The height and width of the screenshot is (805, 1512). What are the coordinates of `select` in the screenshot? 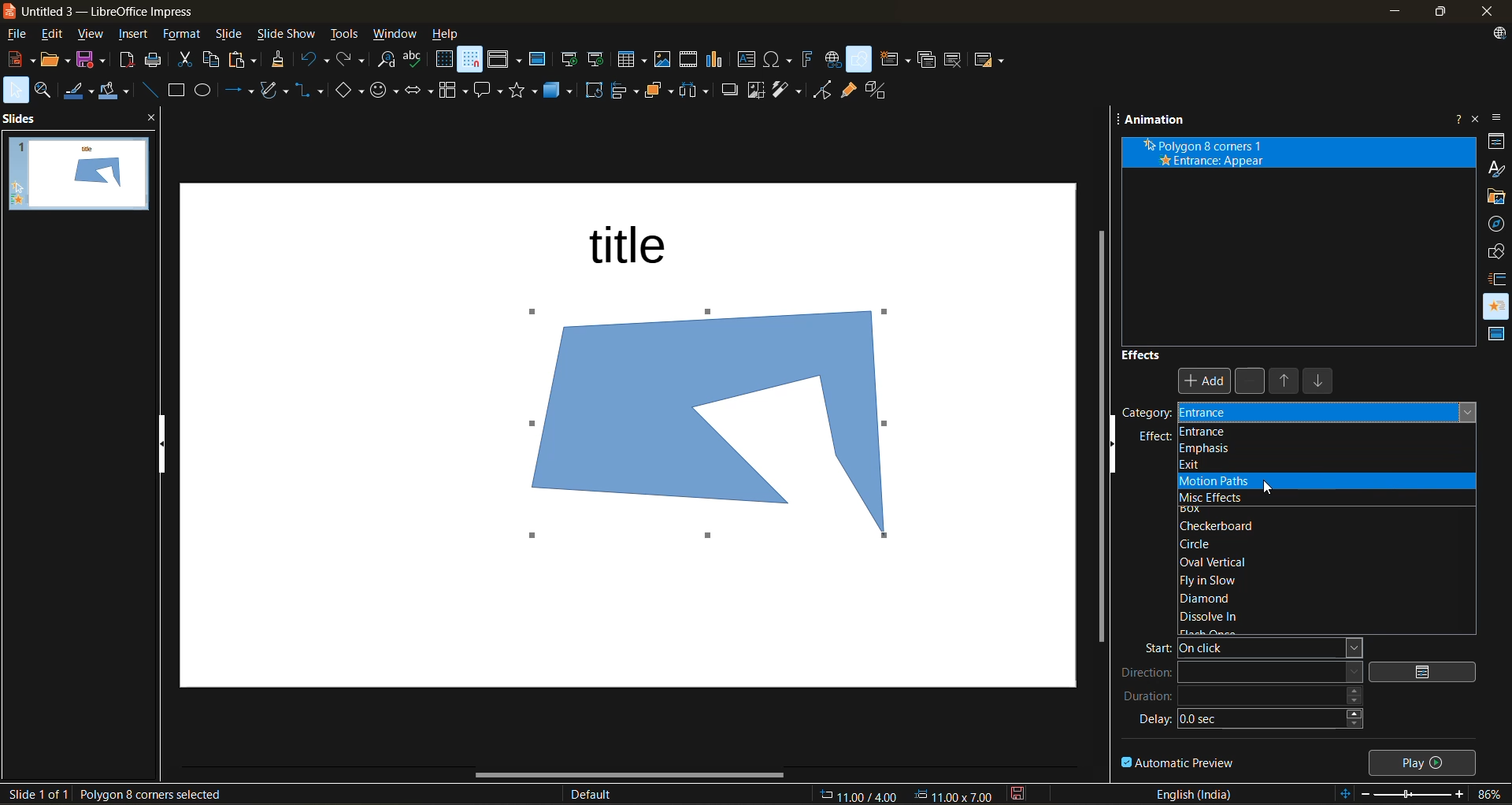 It's located at (17, 90).